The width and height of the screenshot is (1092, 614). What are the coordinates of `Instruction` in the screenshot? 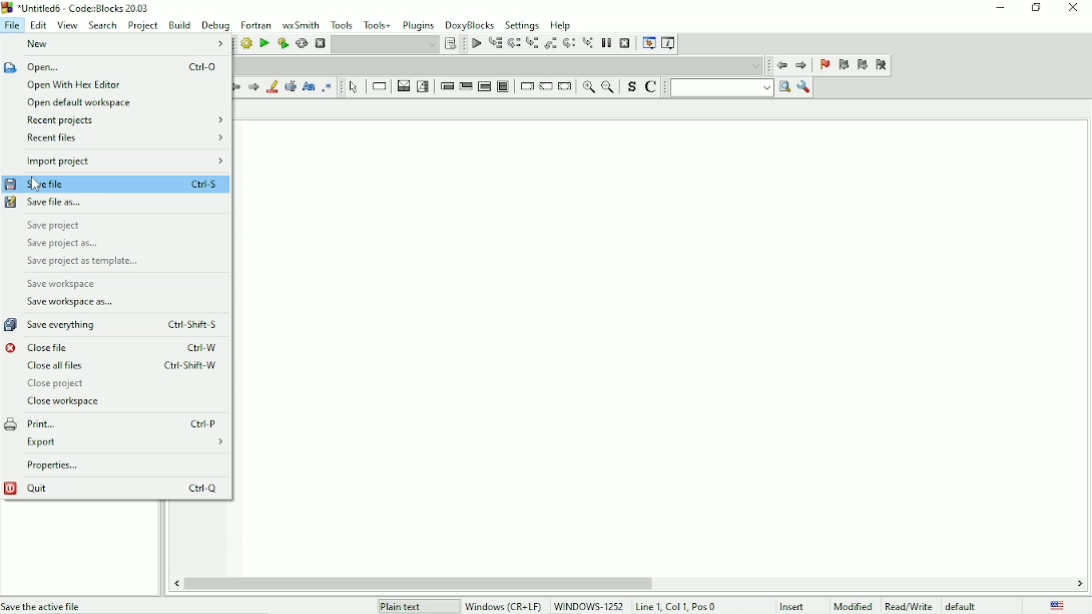 It's located at (379, 87).